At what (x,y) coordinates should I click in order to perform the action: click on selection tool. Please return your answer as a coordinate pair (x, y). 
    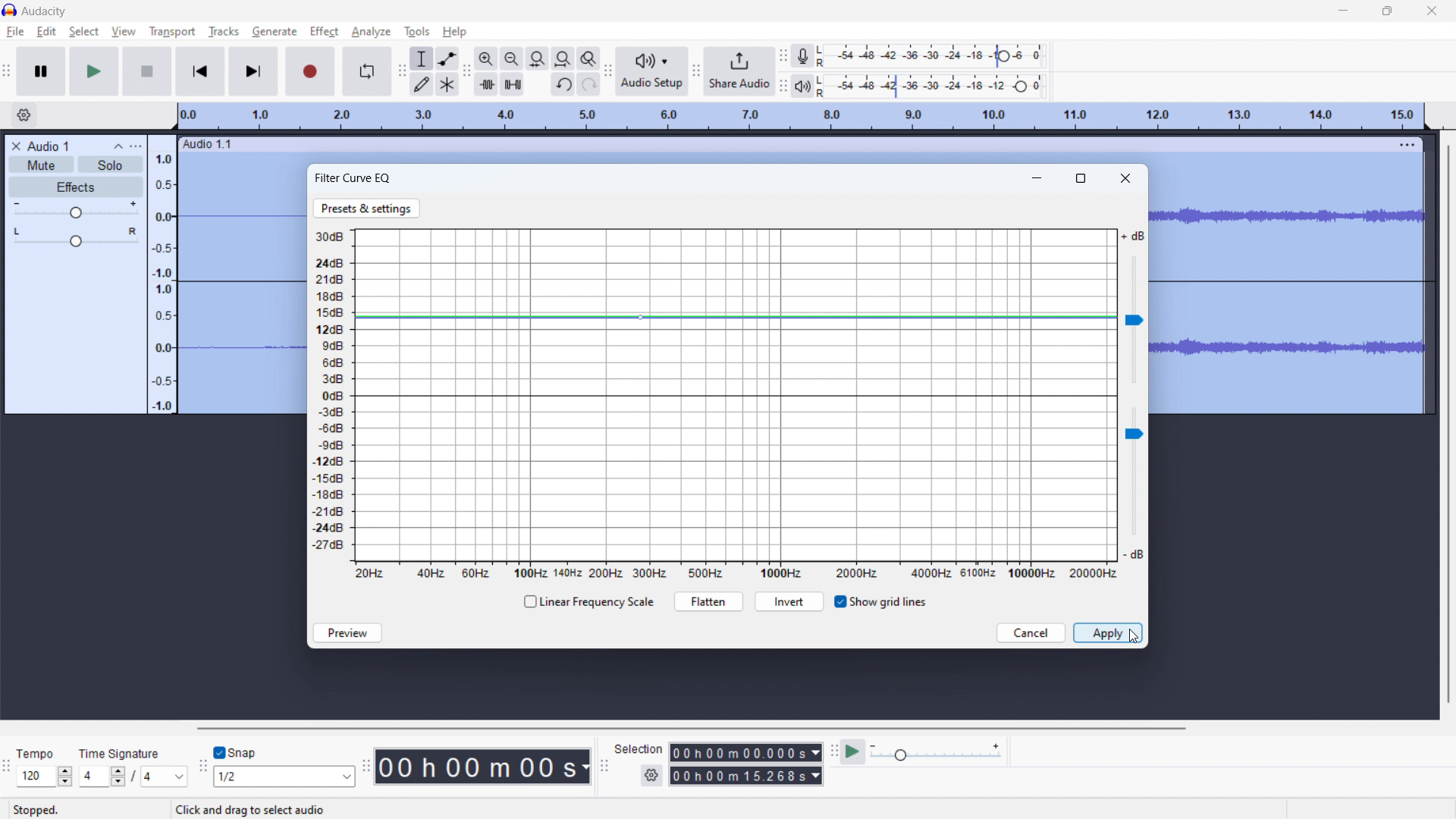
    Looking at the image, I should click on (421, 58).